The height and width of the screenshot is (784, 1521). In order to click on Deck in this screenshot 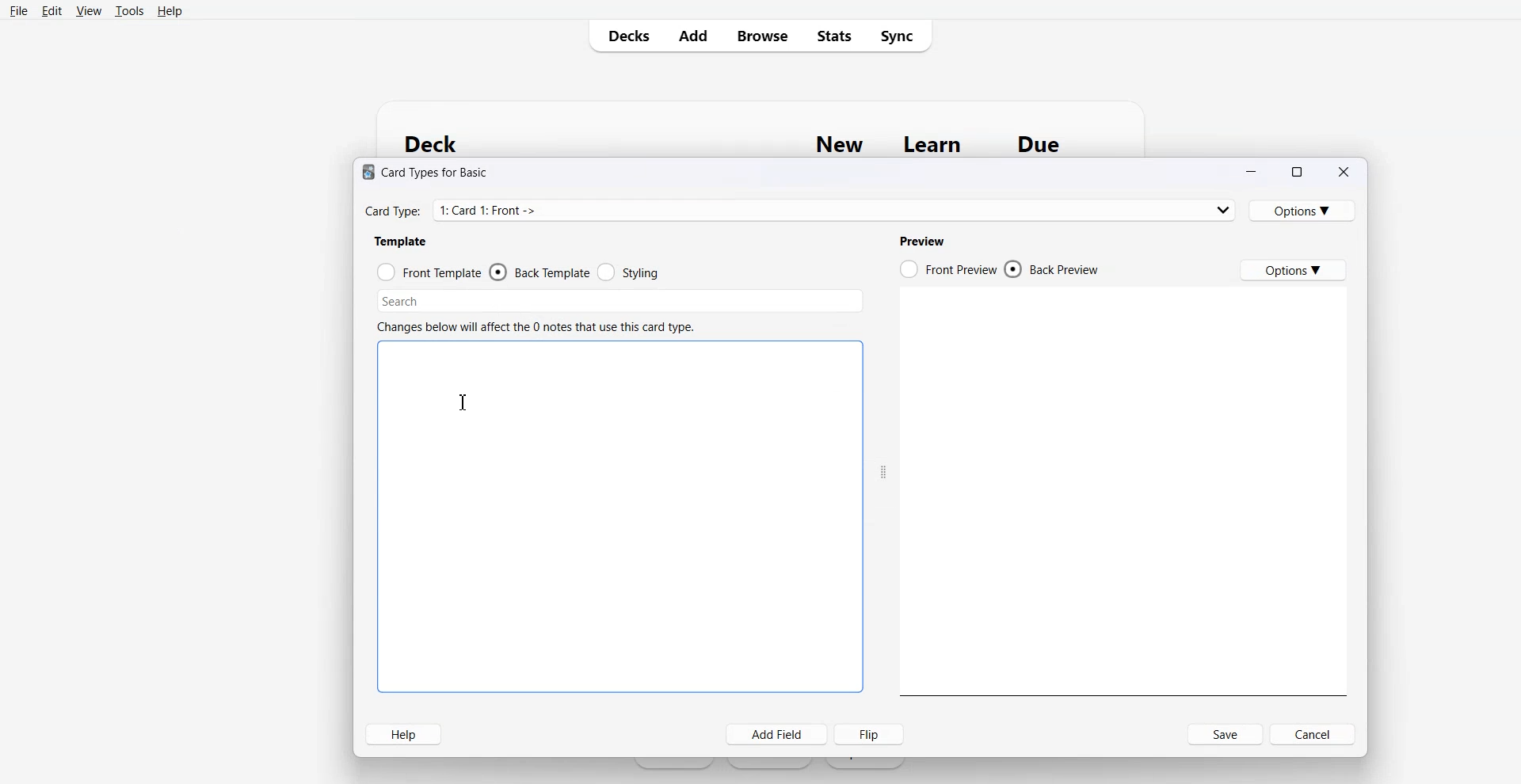, I will do `click(439, 143)`.